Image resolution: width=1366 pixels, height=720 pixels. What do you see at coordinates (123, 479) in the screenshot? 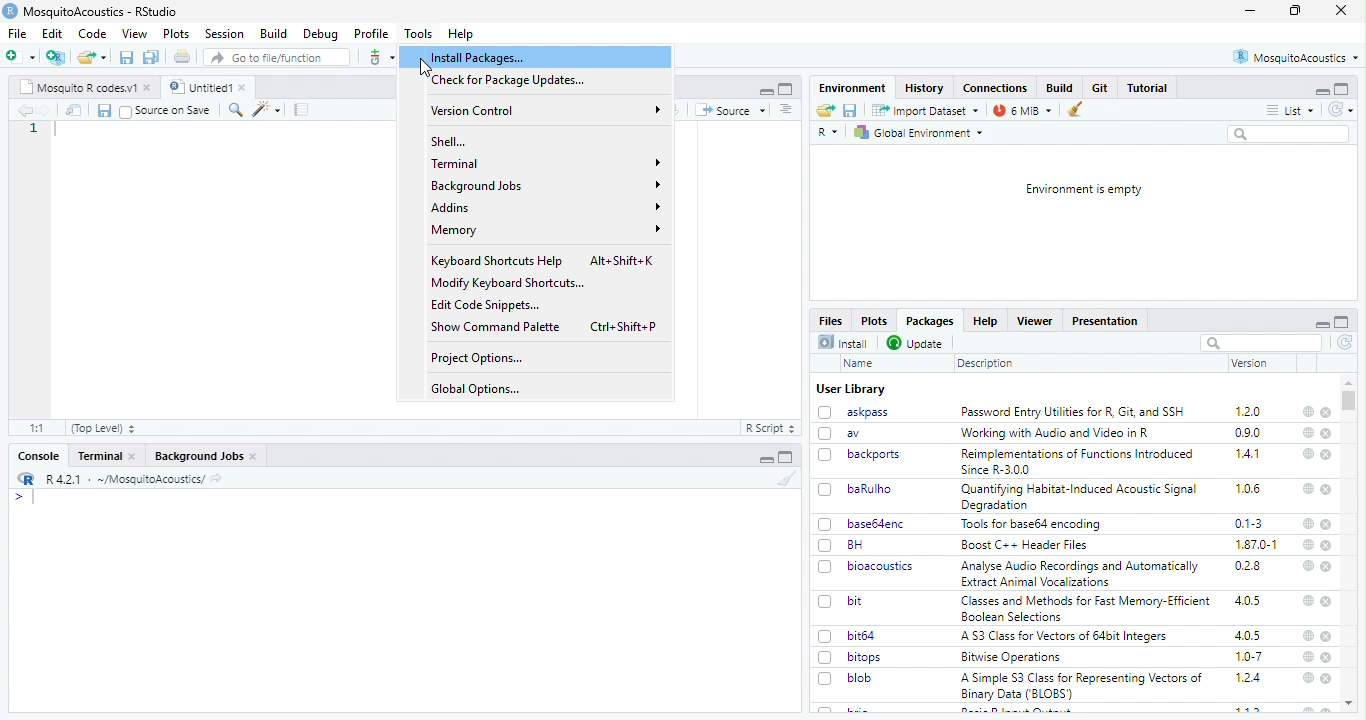
I see `R42.1 - ~/MosquitoAcoustics/` at bounding box center [123, 479].